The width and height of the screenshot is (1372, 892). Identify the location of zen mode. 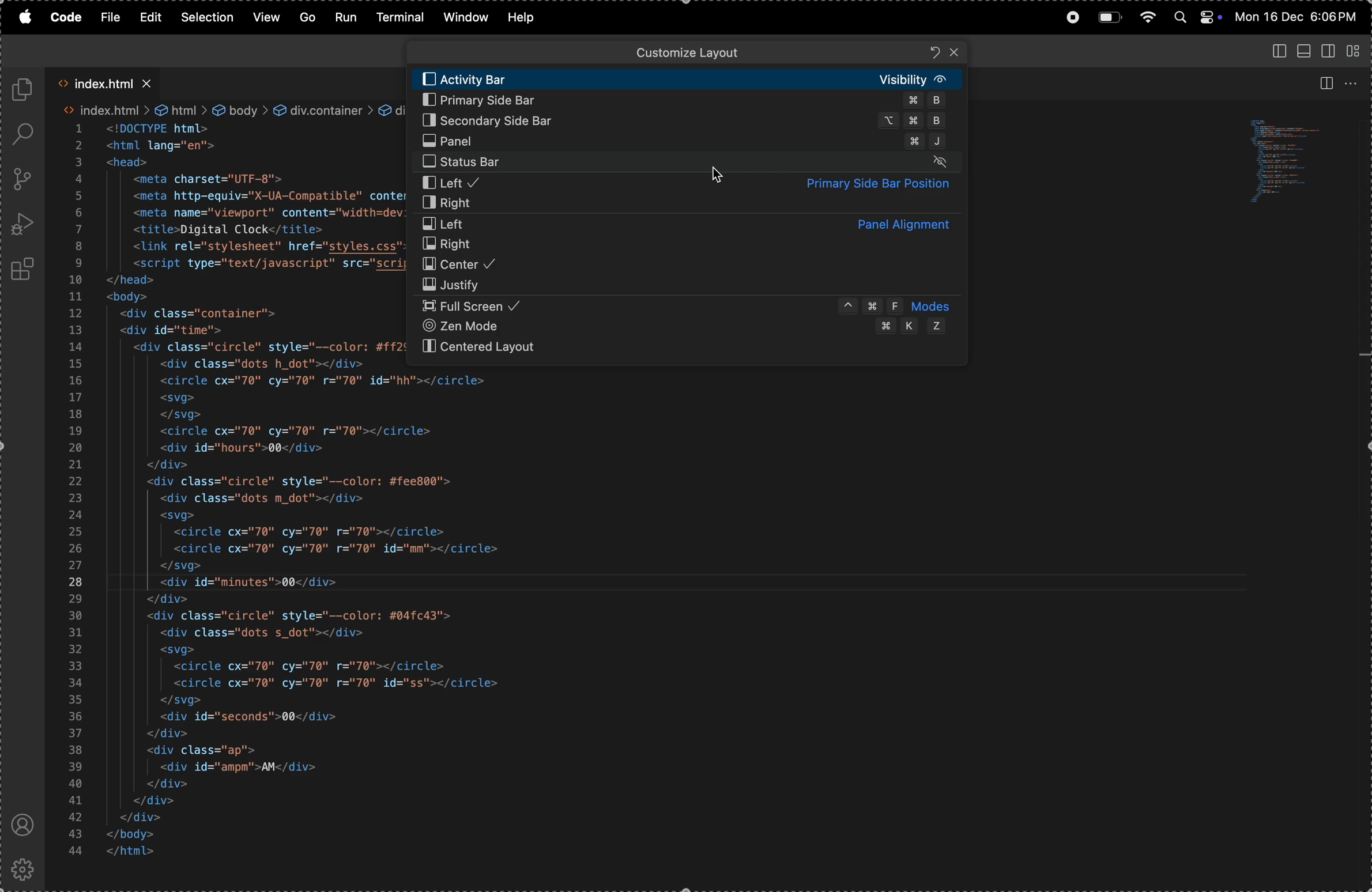
(693, 328).